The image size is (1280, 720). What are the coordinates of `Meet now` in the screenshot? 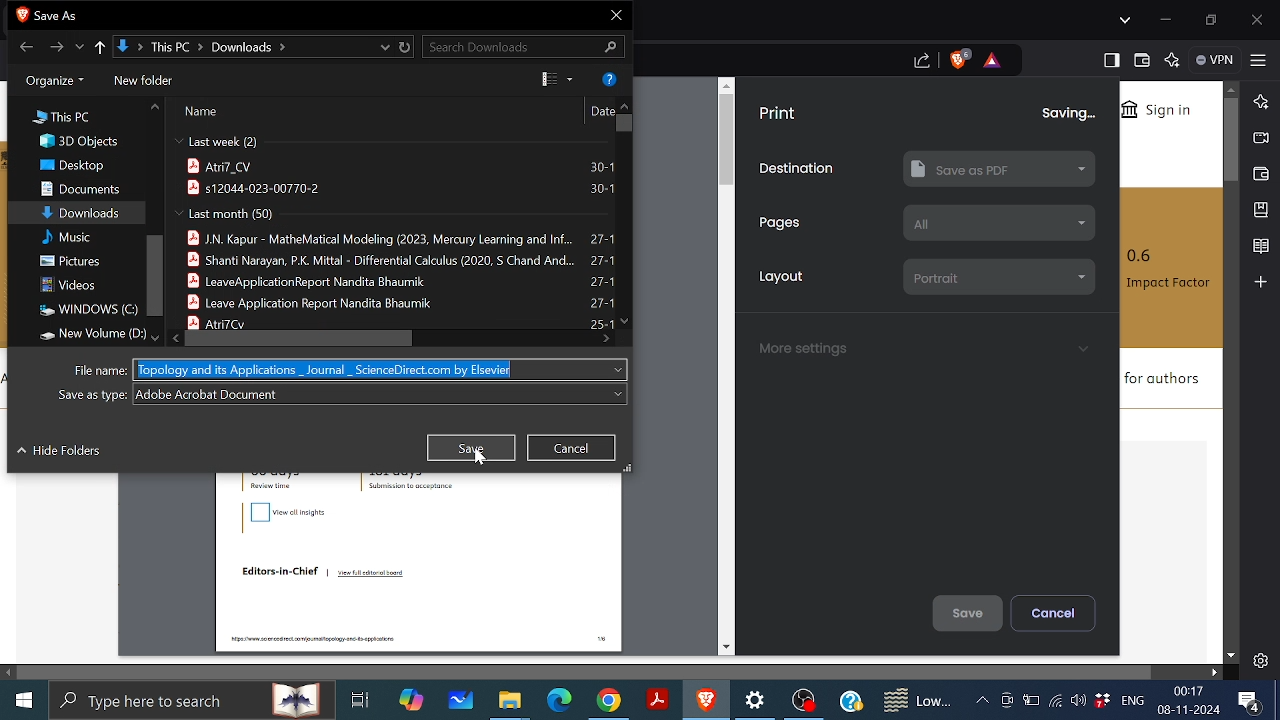 It's located at (1007, 699).